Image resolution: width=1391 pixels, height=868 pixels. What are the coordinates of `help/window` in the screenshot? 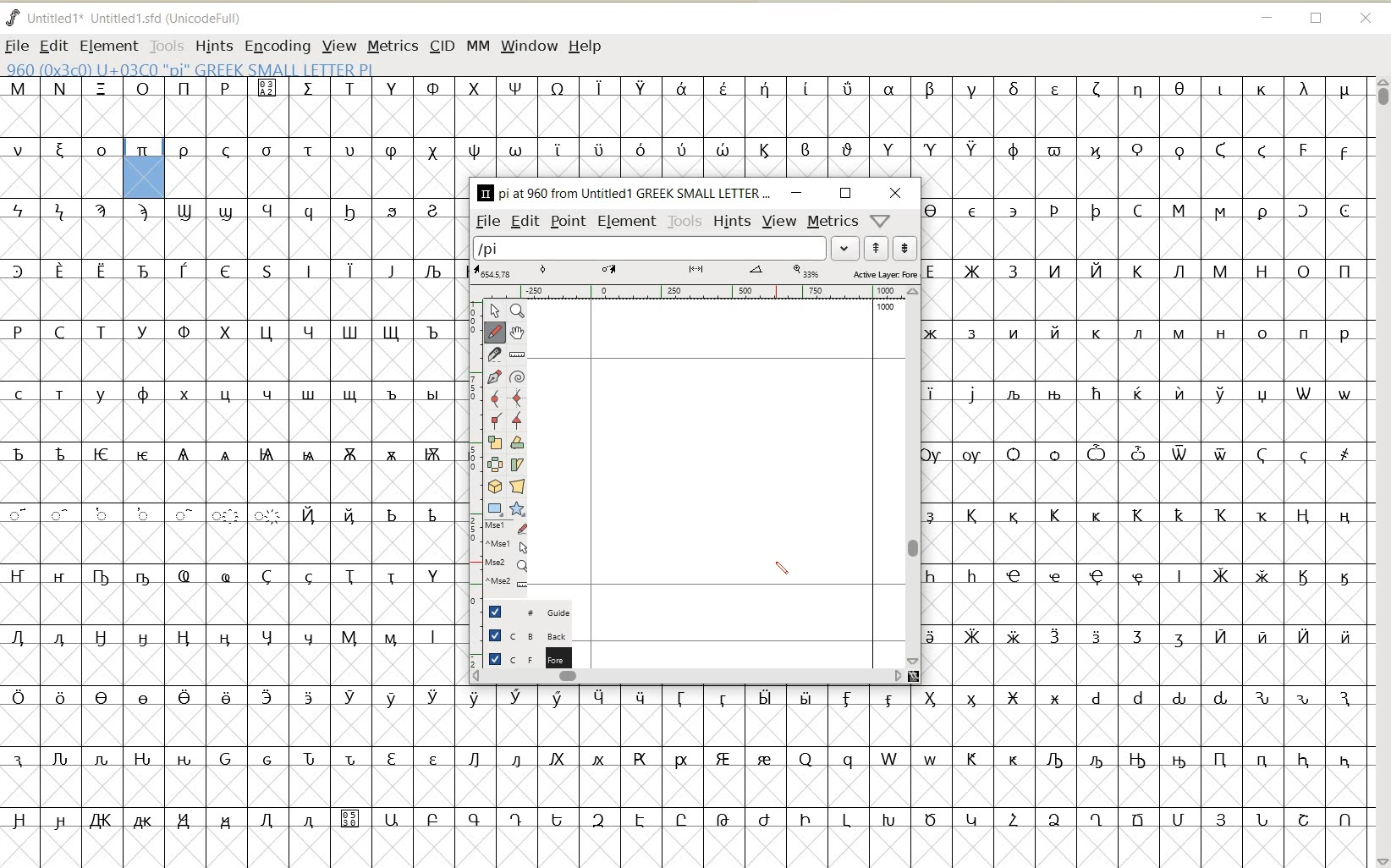 It's located at (881, 221).